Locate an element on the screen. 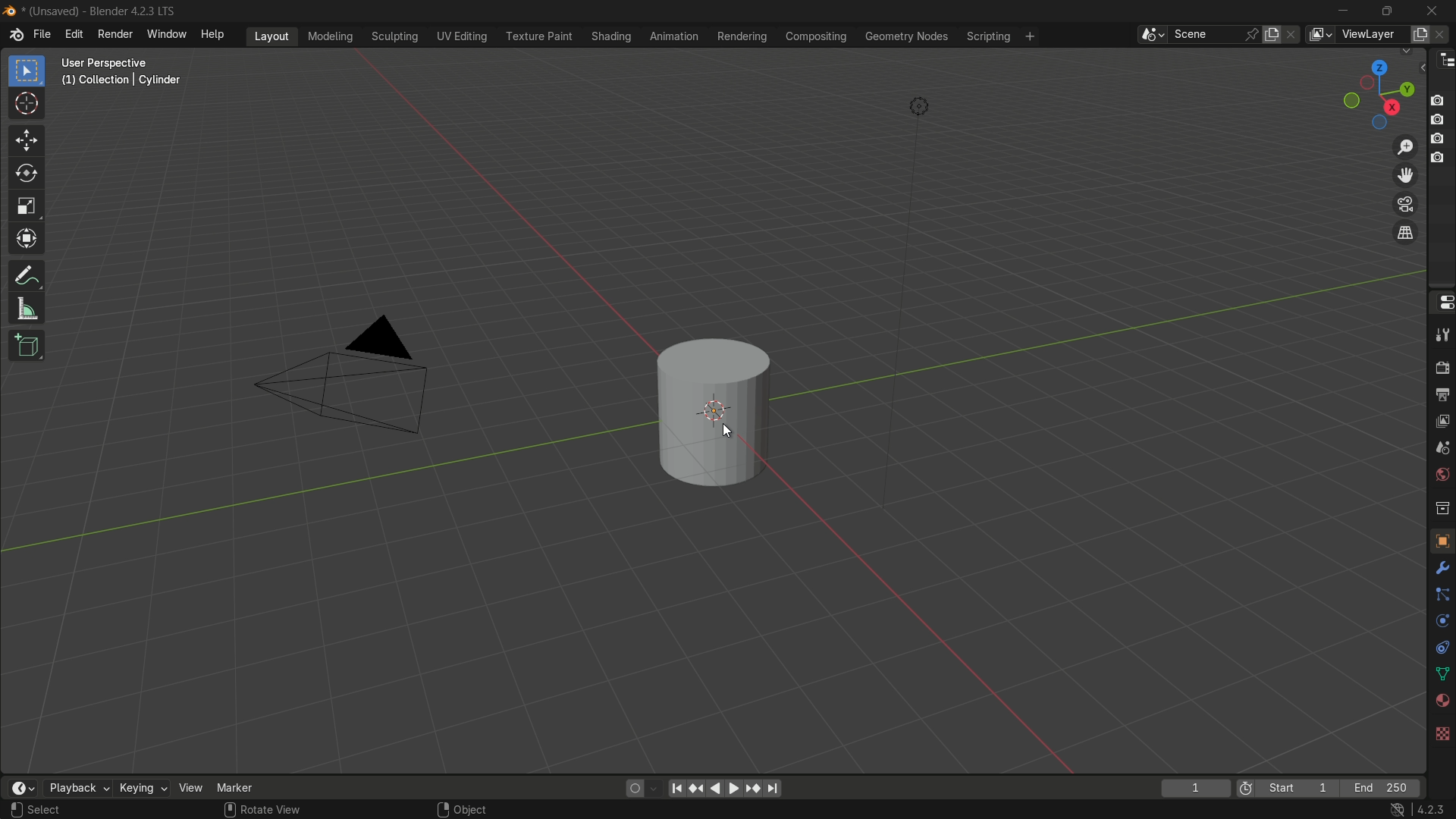 This screenshot has width=1456, height=819. right click is located at coordinates (441, 808).